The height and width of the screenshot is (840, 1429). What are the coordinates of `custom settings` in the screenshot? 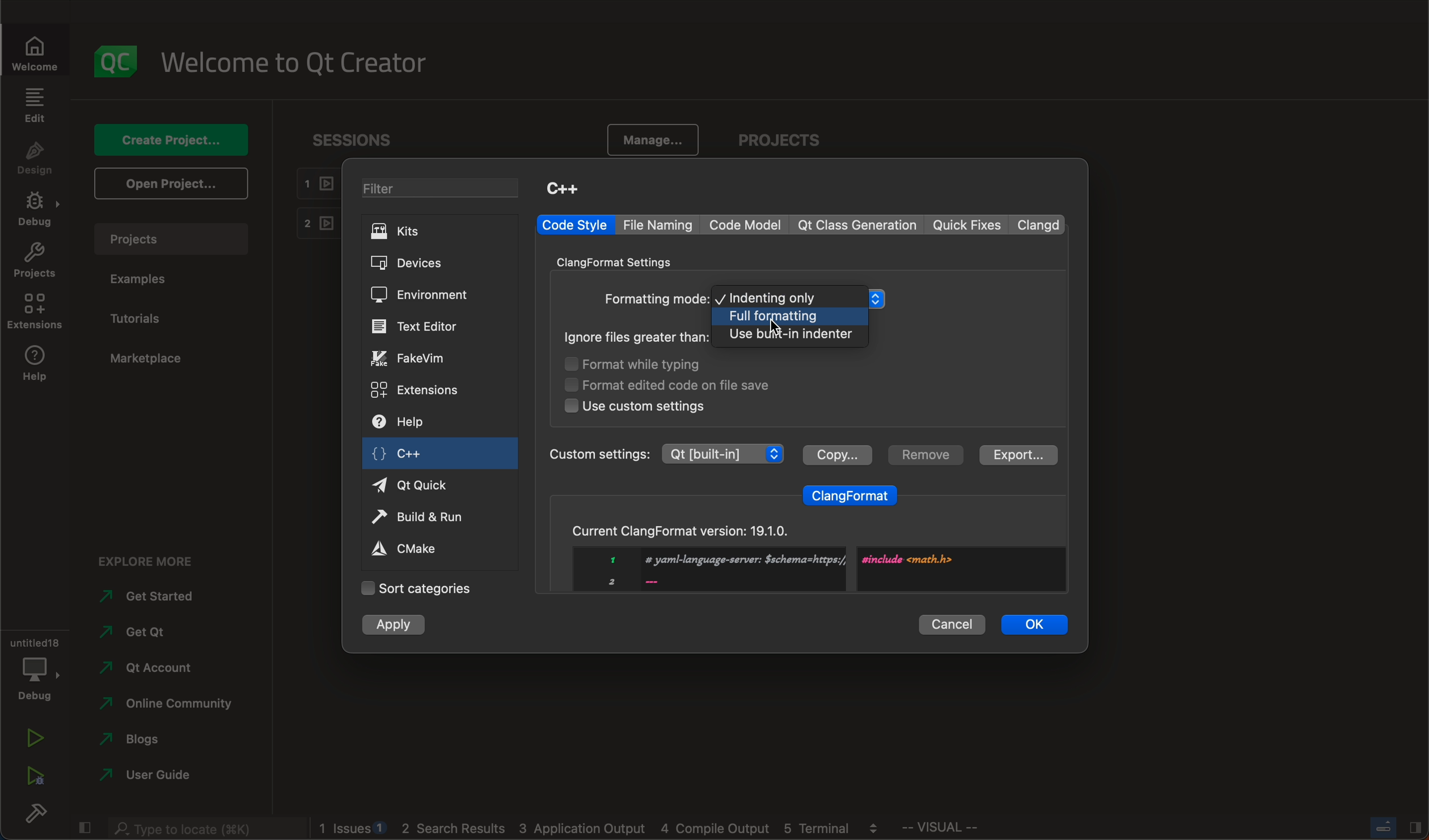 It's located at (635, 406).